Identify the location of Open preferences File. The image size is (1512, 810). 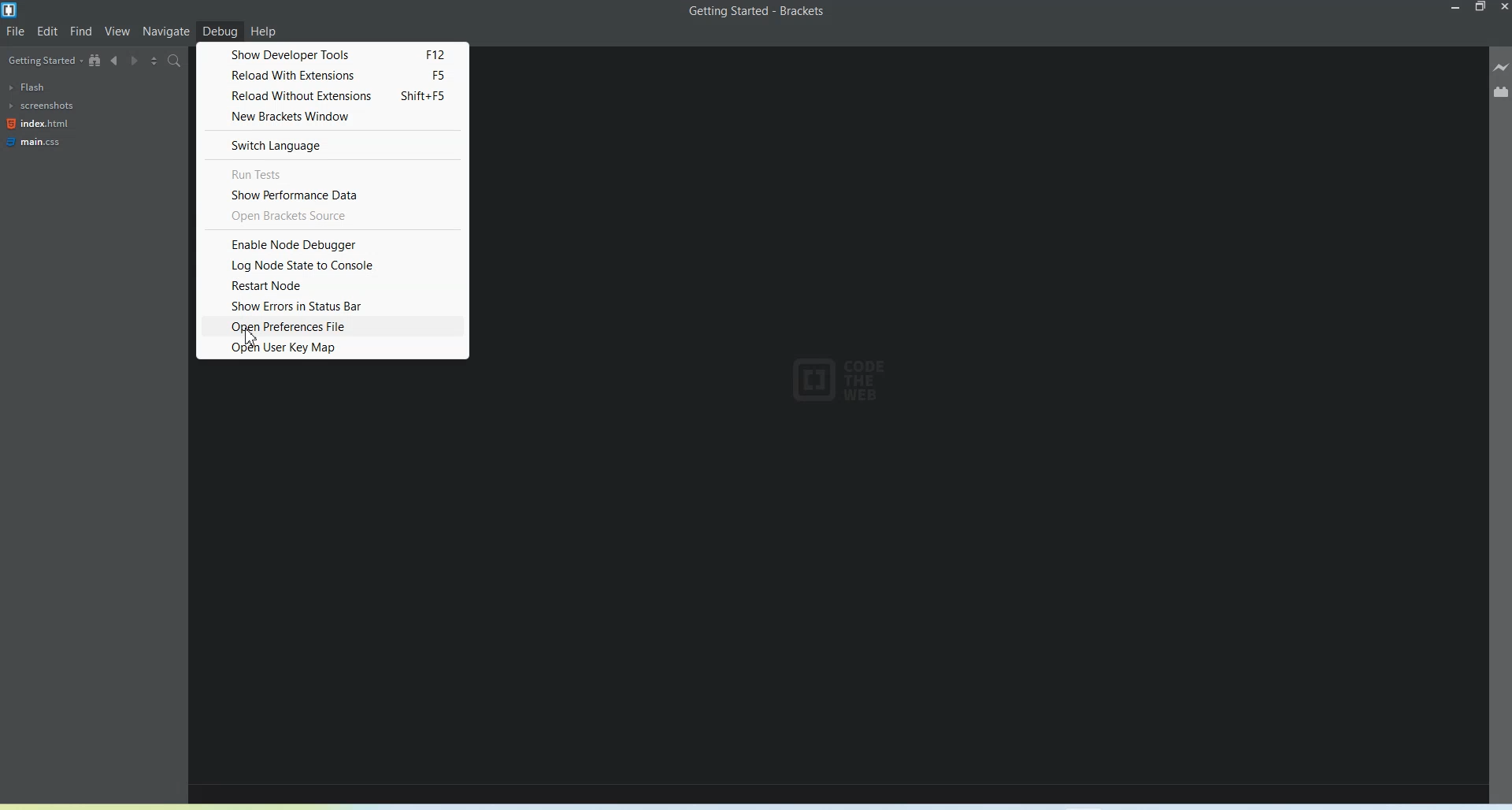
(333, 326).